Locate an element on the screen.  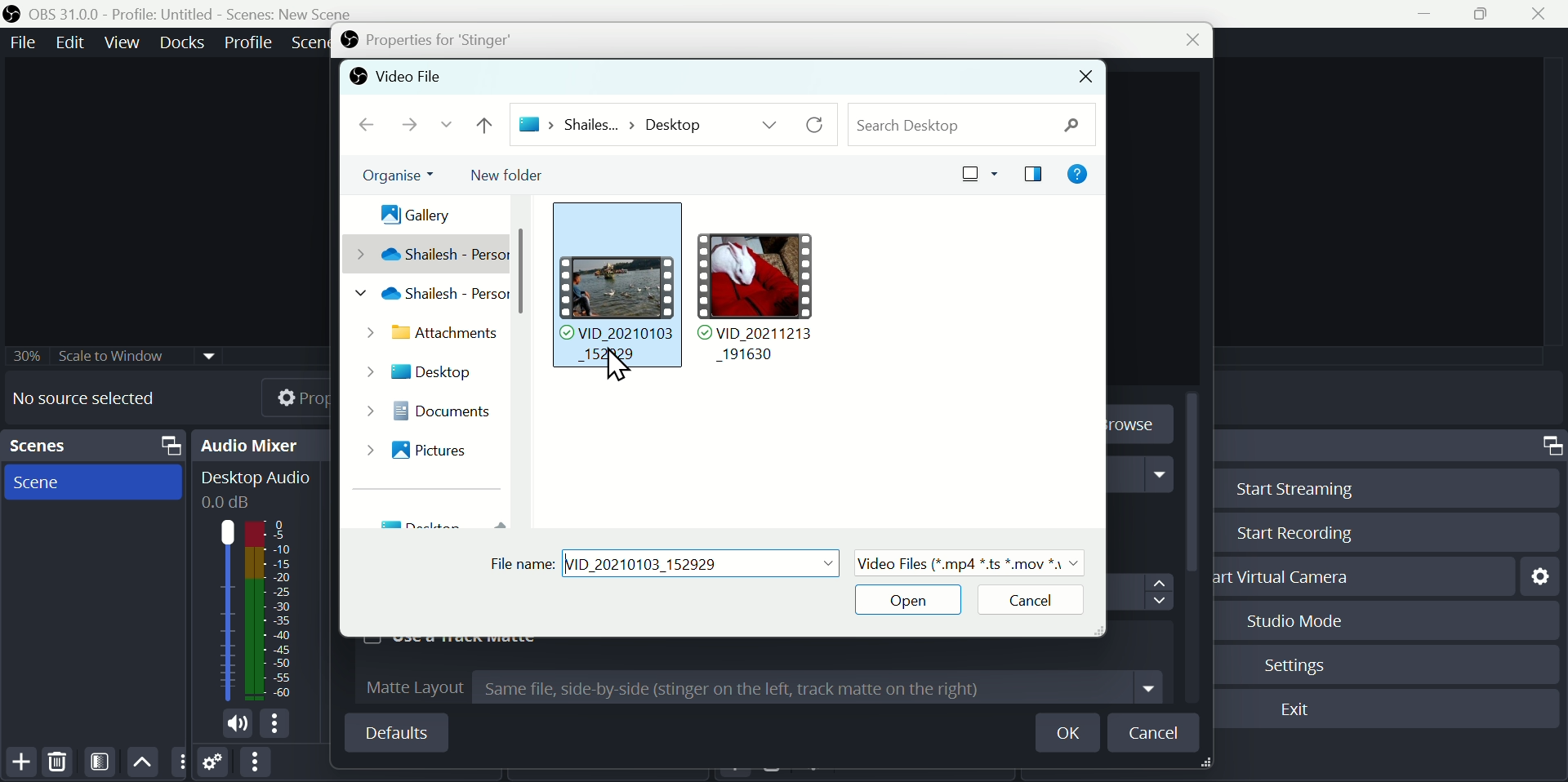
No source selected is located at coordinates (96, 398).